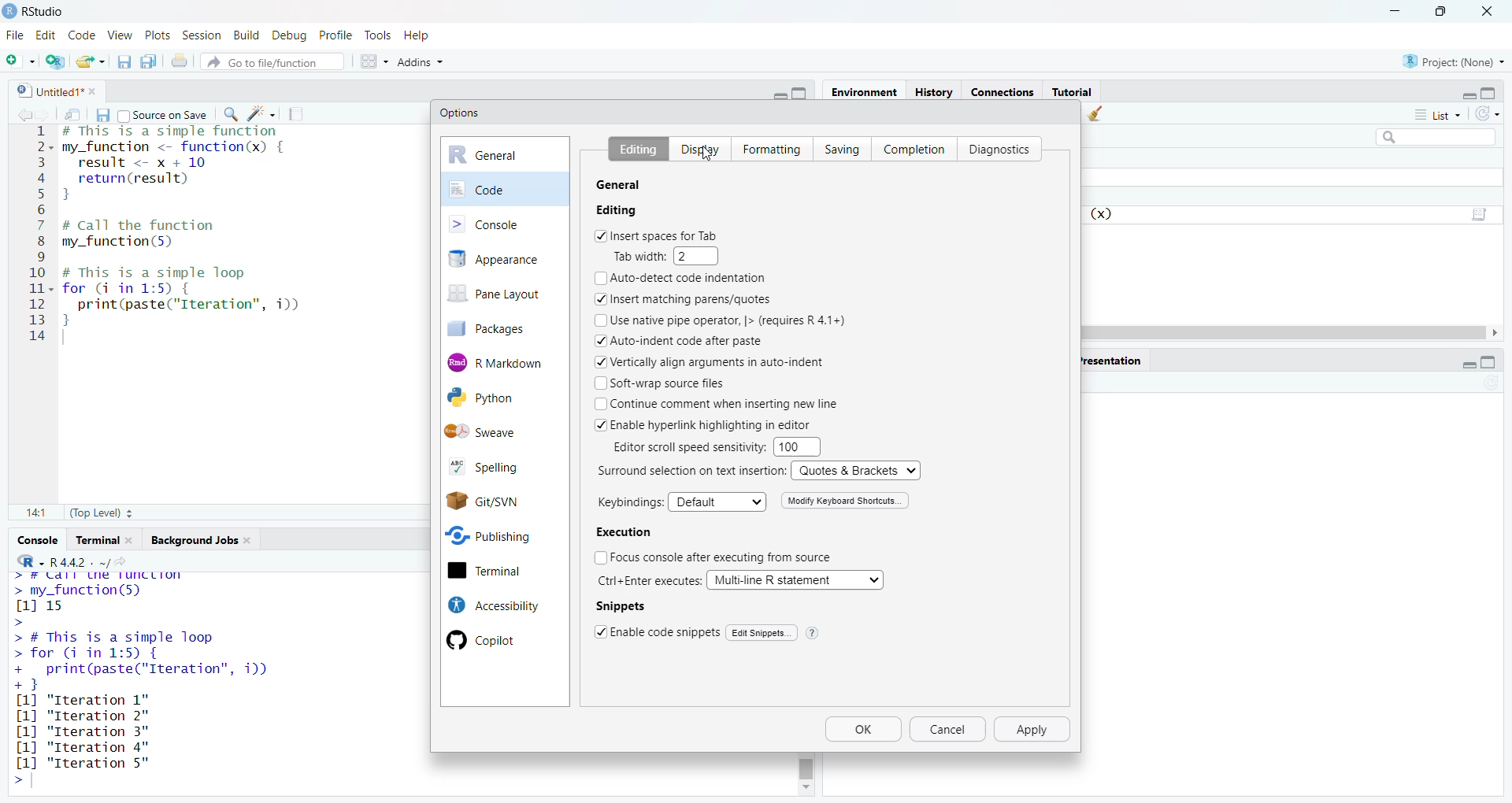 Image resolution: width=1512 pixels, height=803 pixels. I want to click on R Markdown, so click(506, 361).